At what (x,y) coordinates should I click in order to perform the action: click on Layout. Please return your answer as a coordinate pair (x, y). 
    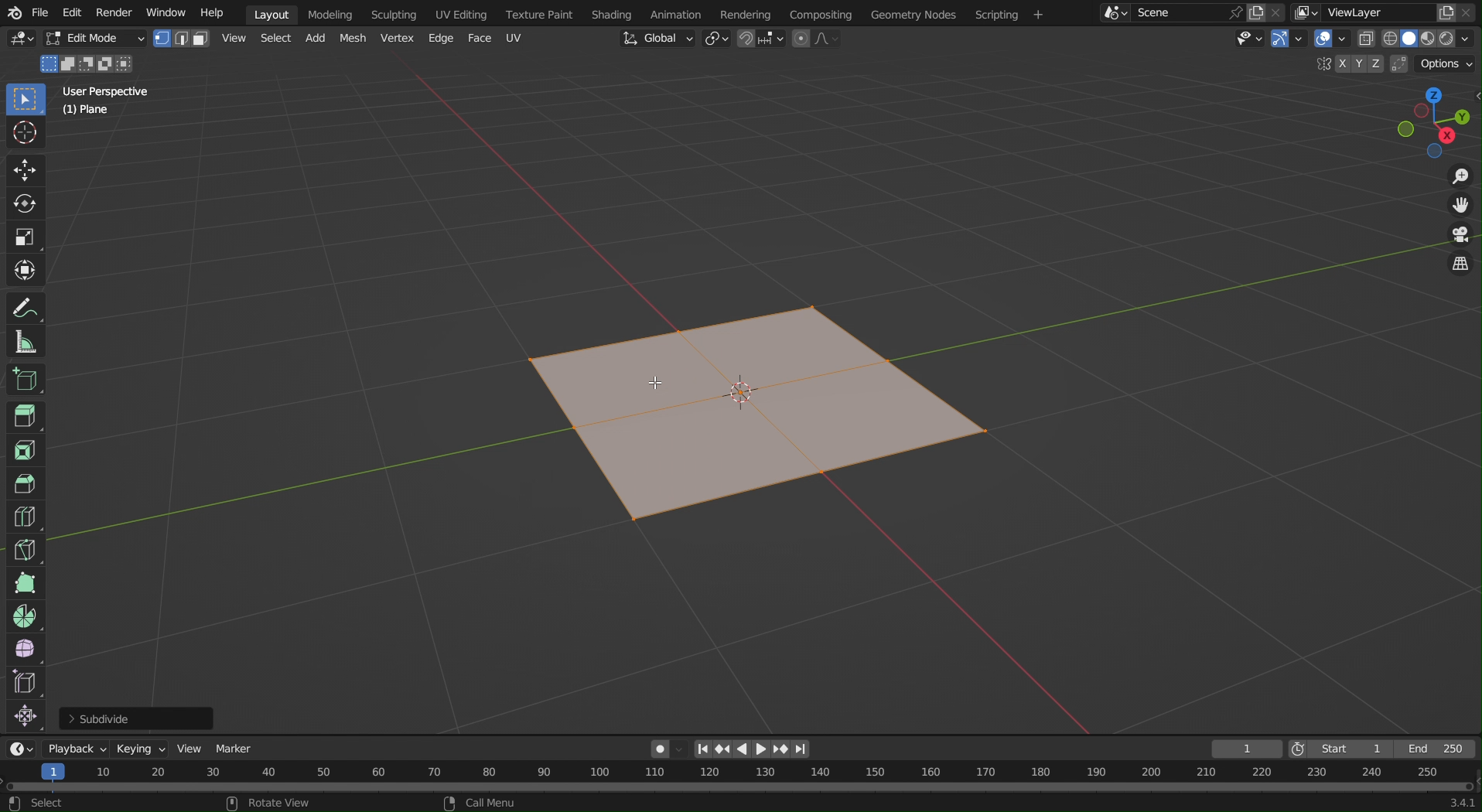
    Looking at the image, I should click on (271, 14).